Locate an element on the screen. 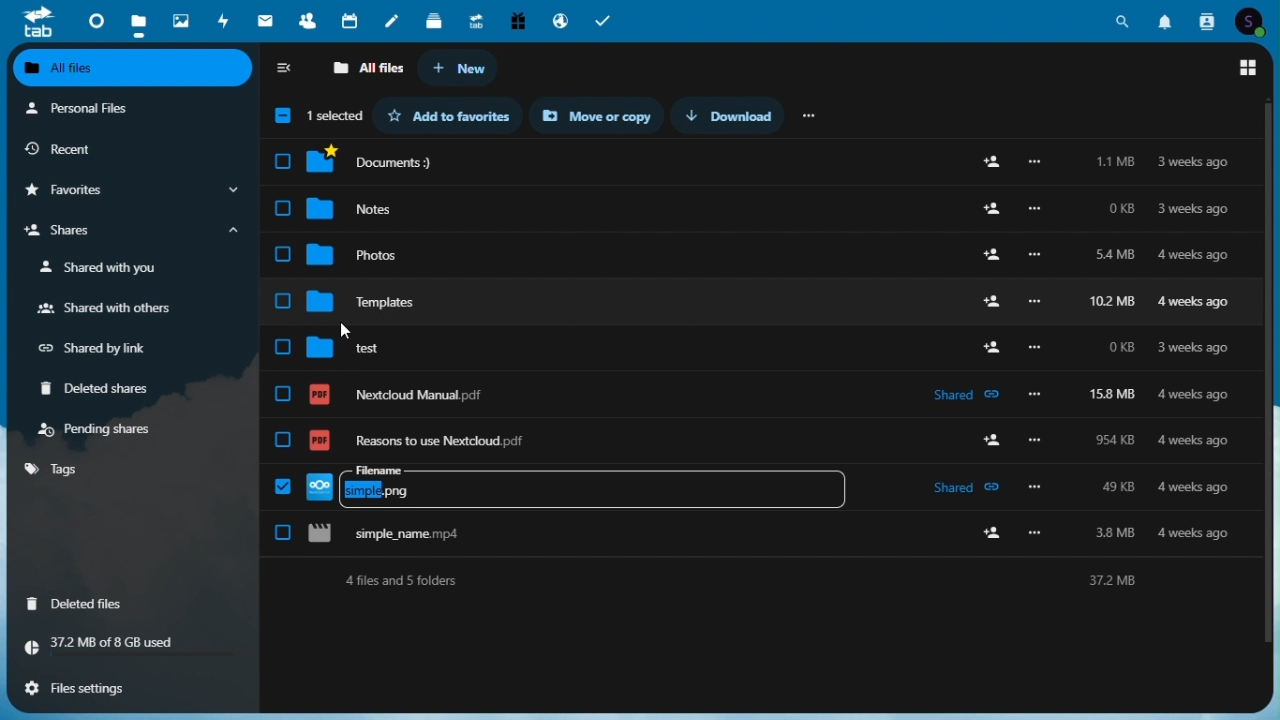 The width and height of the screenshot is (1280, 720). favourites is located at coordinates (129, 191).